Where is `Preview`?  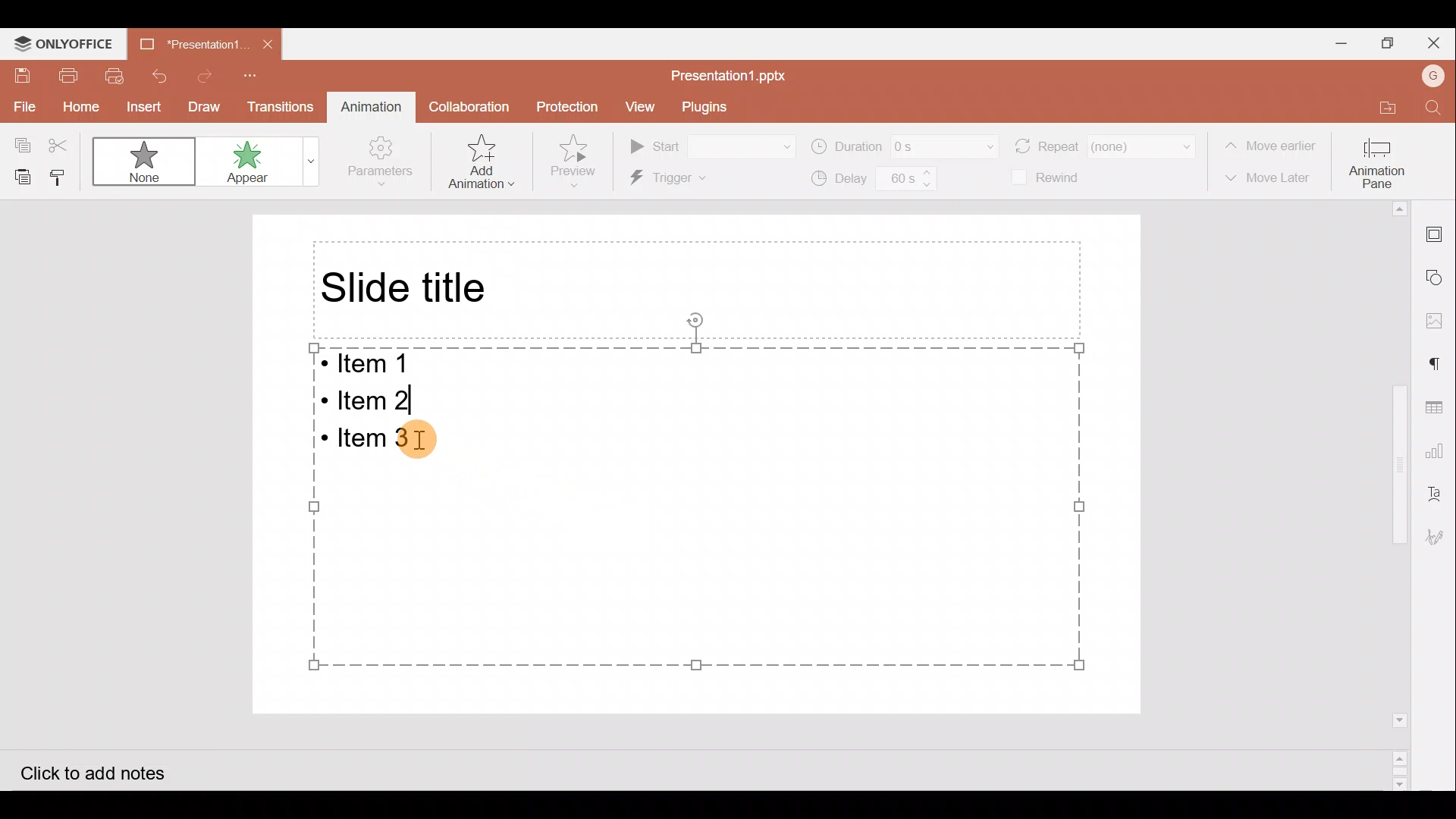 Preview is located at coordinates (579, 161).